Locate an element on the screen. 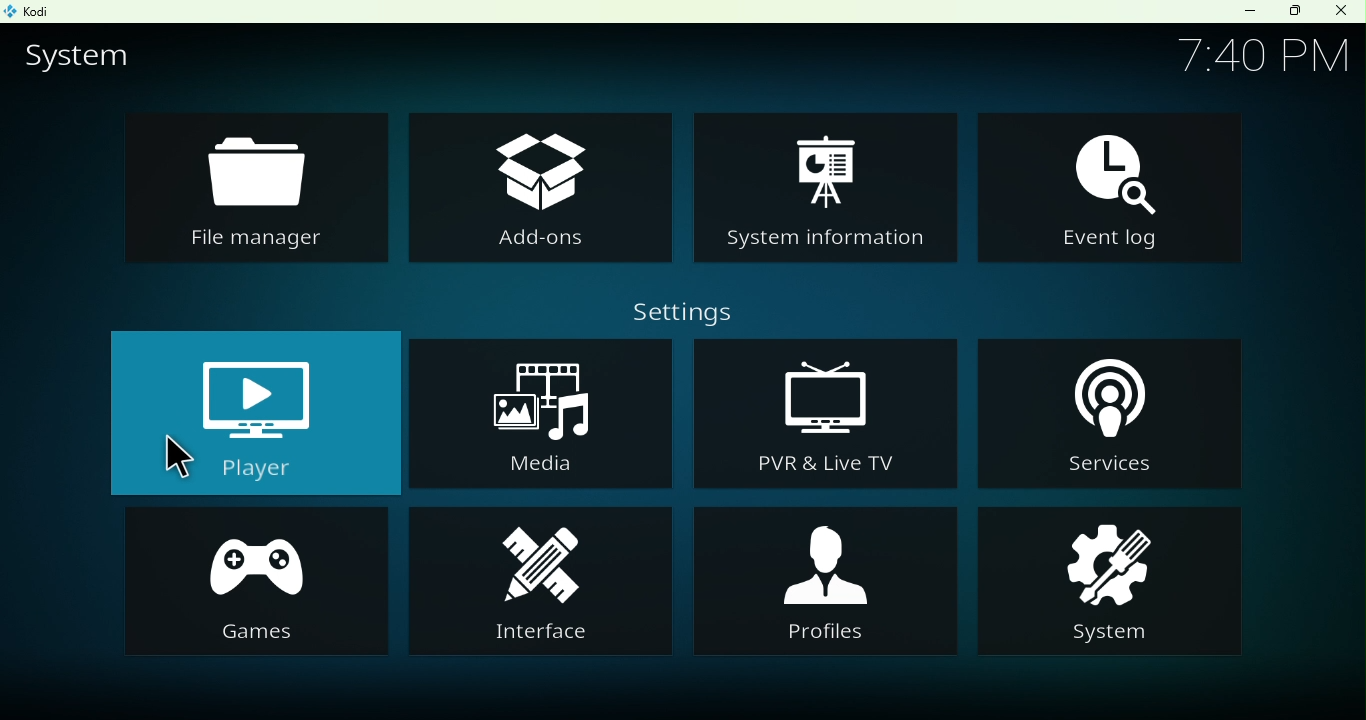 This screenshot has height=720, width=1366. File manager is located at coordinates (255, 189).